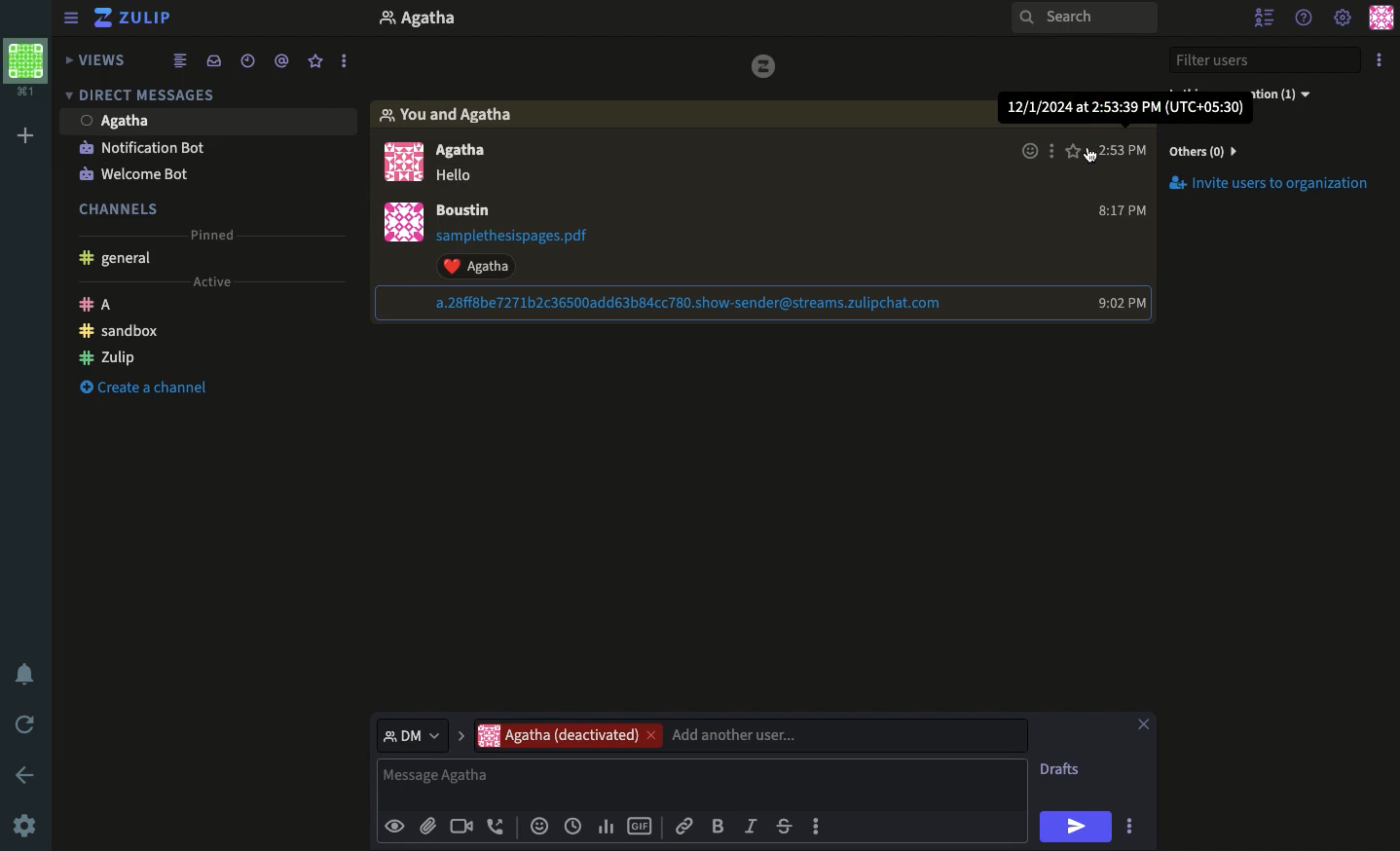  Describe the element at coordinates (844, 734) in the screenshot. I see `add Users` at that location.